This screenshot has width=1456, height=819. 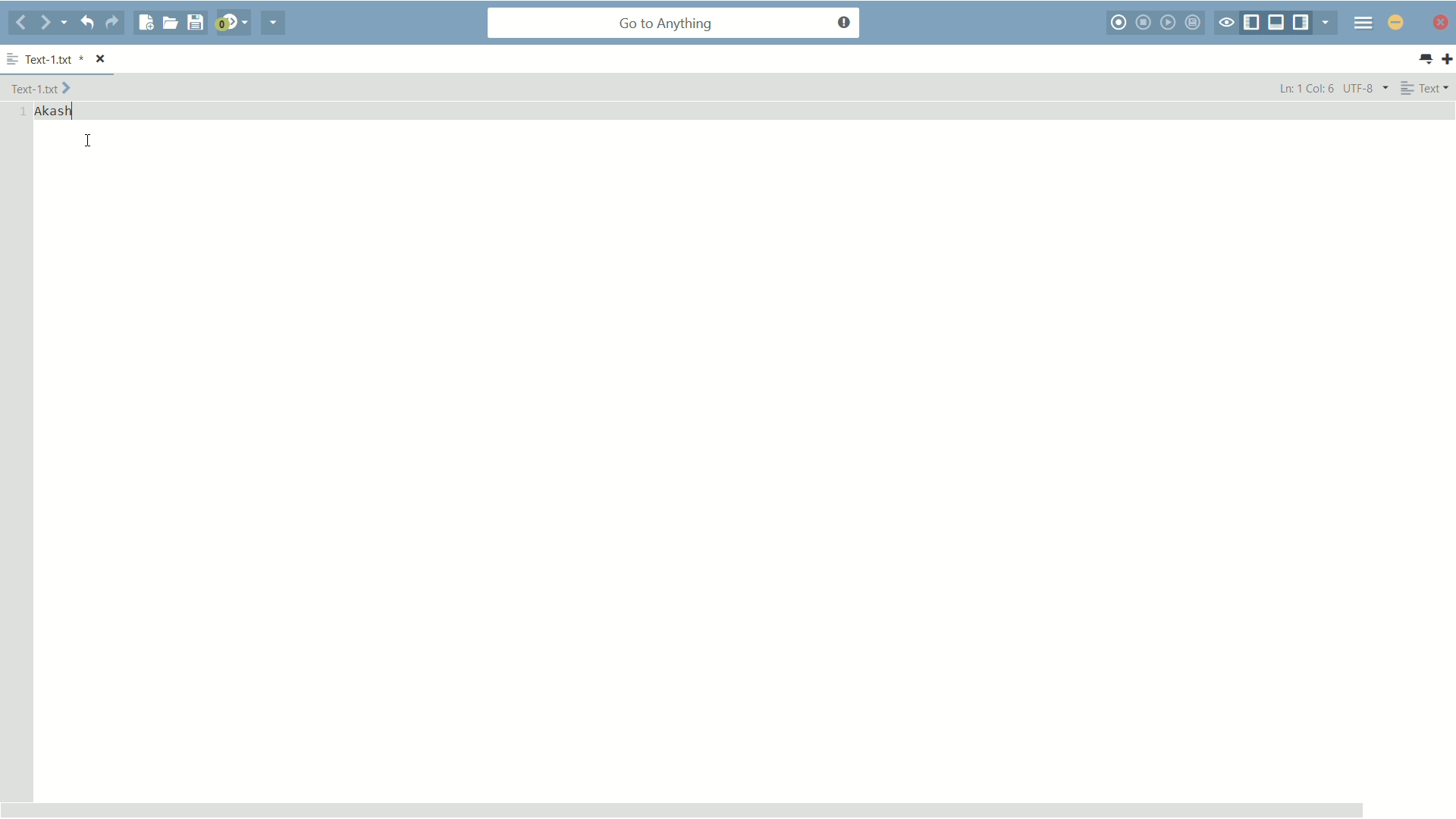 I want to click on jump to next syntax checking result, so click(x=233, y=24).